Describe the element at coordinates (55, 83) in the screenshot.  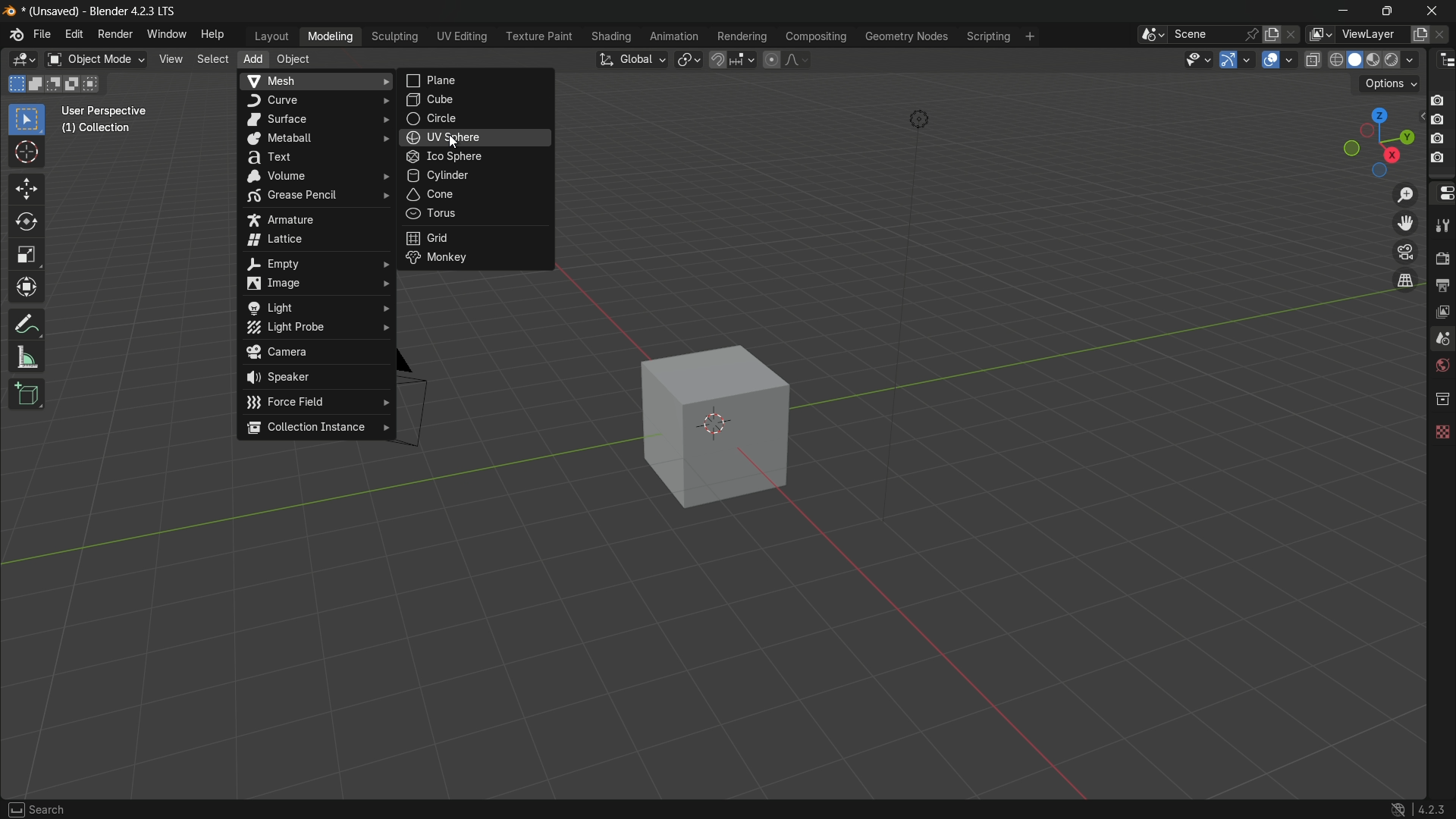
I see `subtract existing selection` at that location.